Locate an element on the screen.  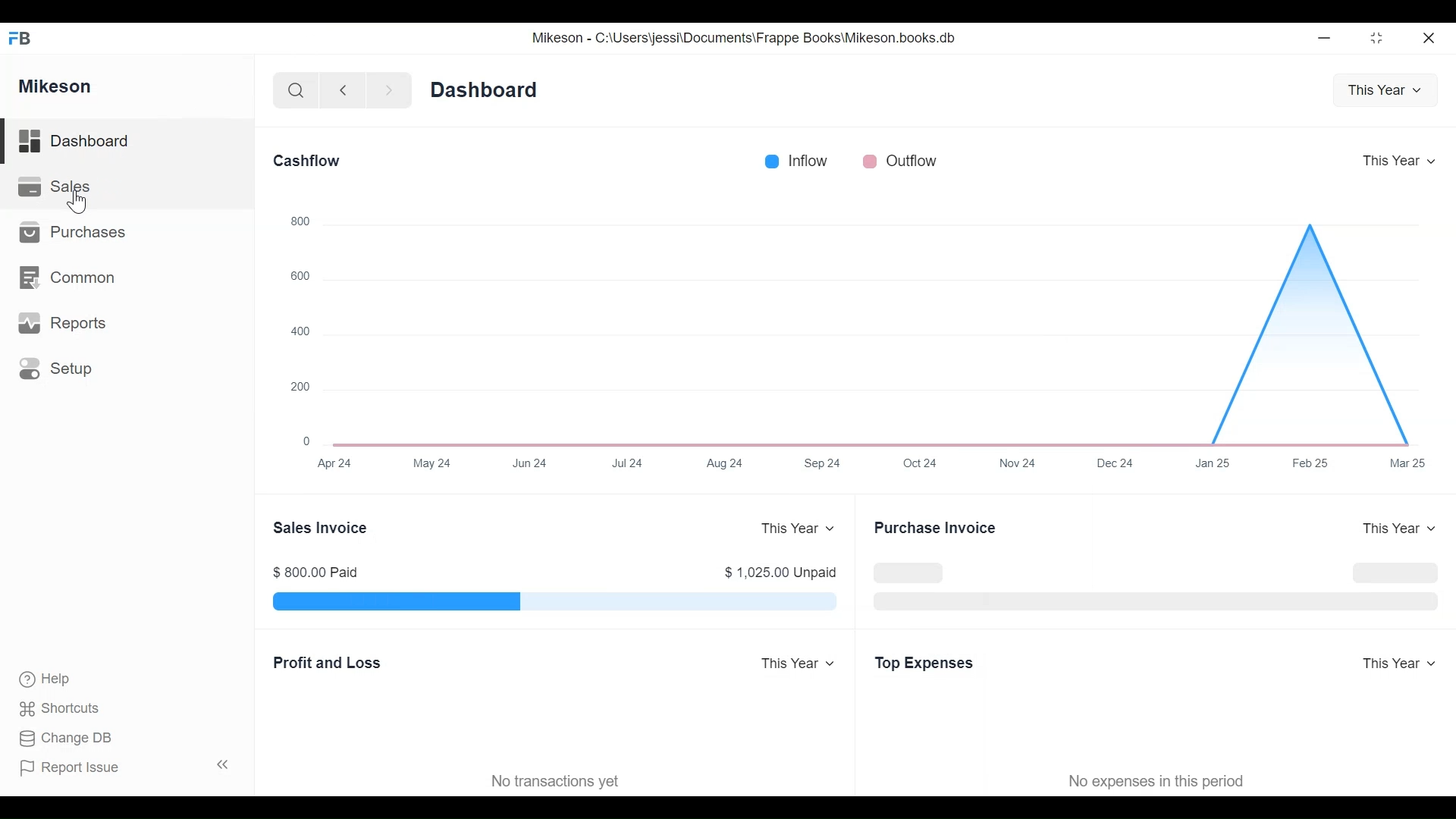
Cashflow is located at coordinates (309, 161).